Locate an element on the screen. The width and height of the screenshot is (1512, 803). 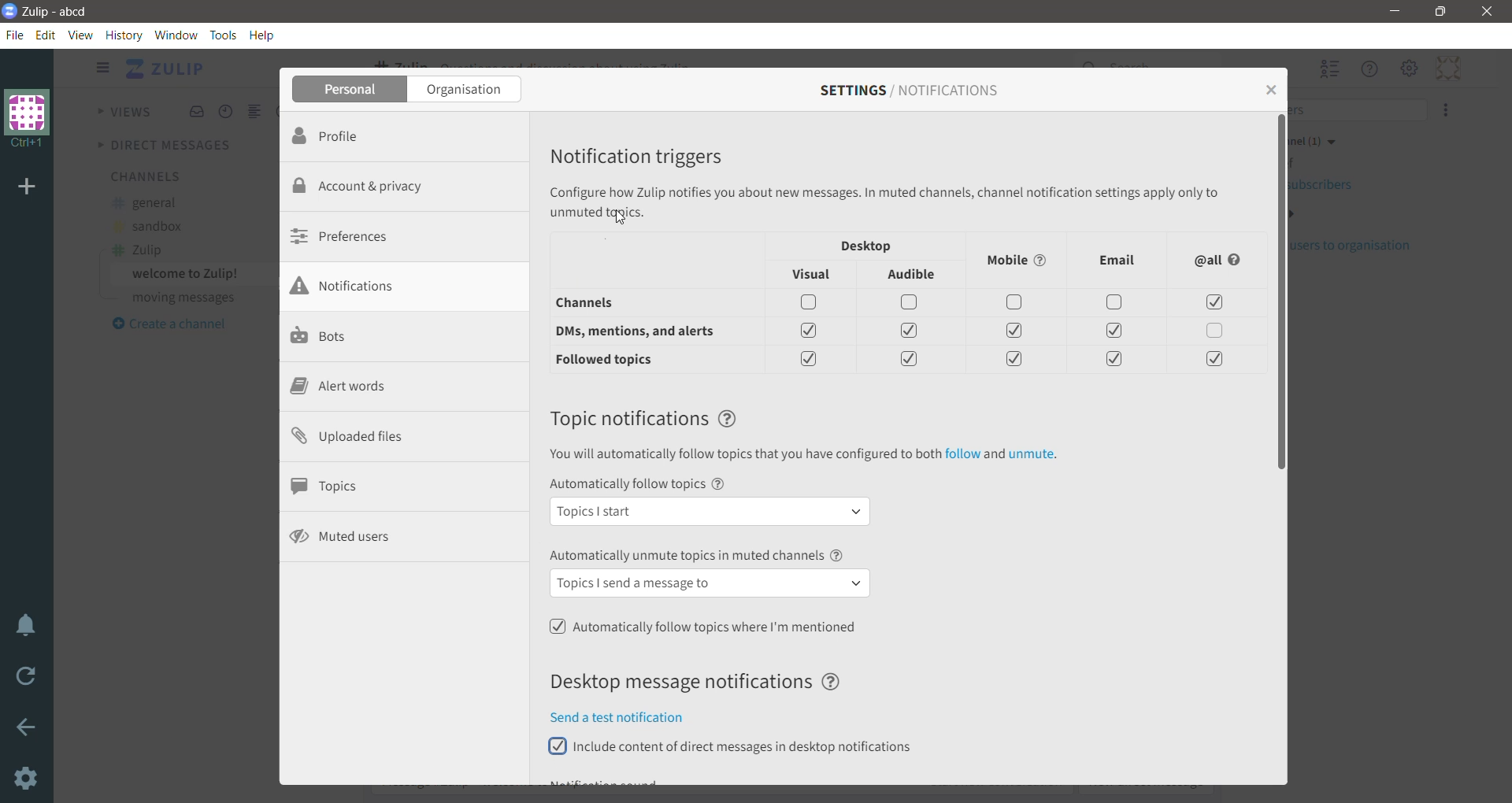
check box is located at coordinates (813, 302).